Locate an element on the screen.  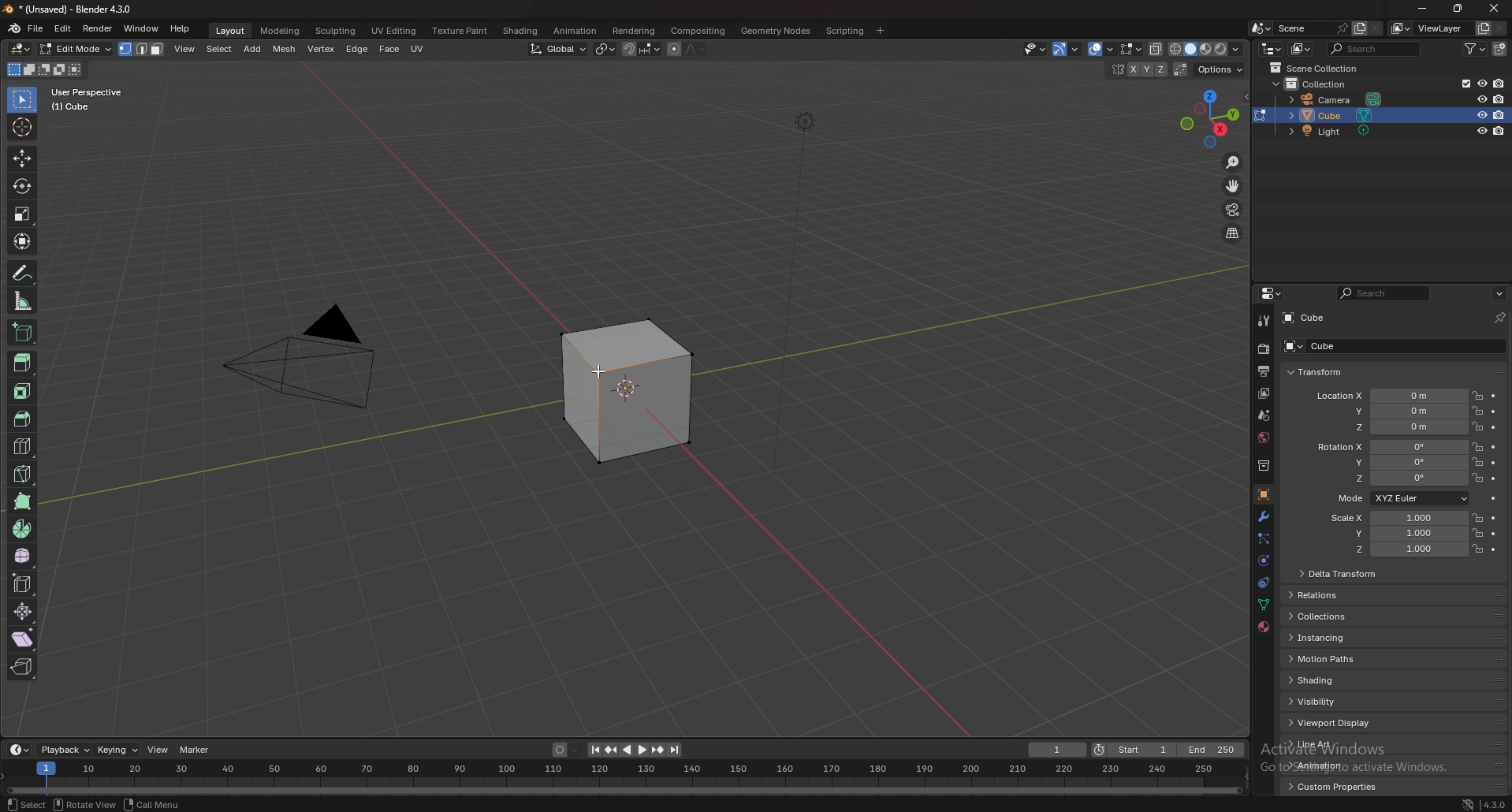
select is located at coordinates (25, 100).